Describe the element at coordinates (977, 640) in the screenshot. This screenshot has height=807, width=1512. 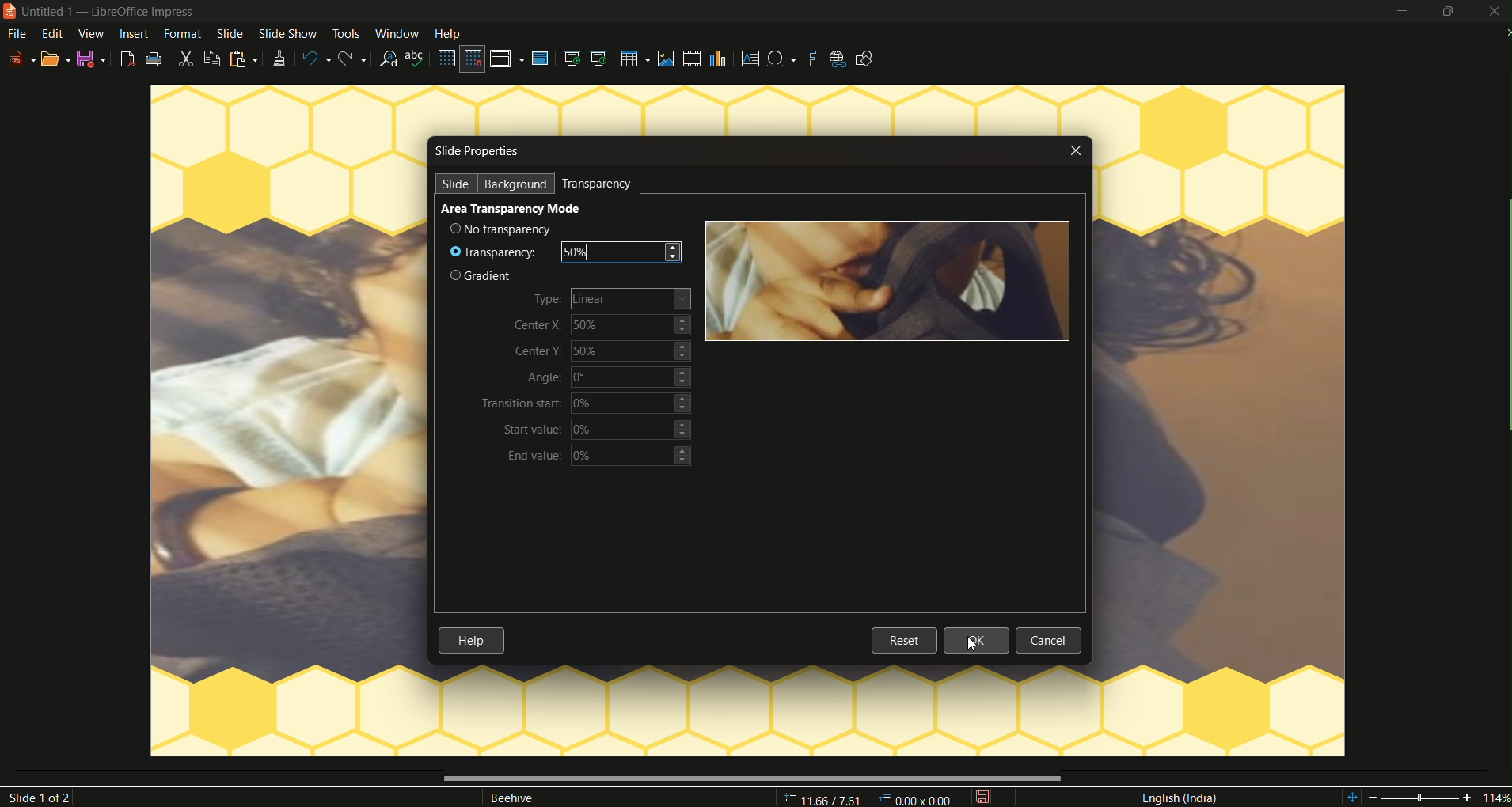
I see `ok` at that location.